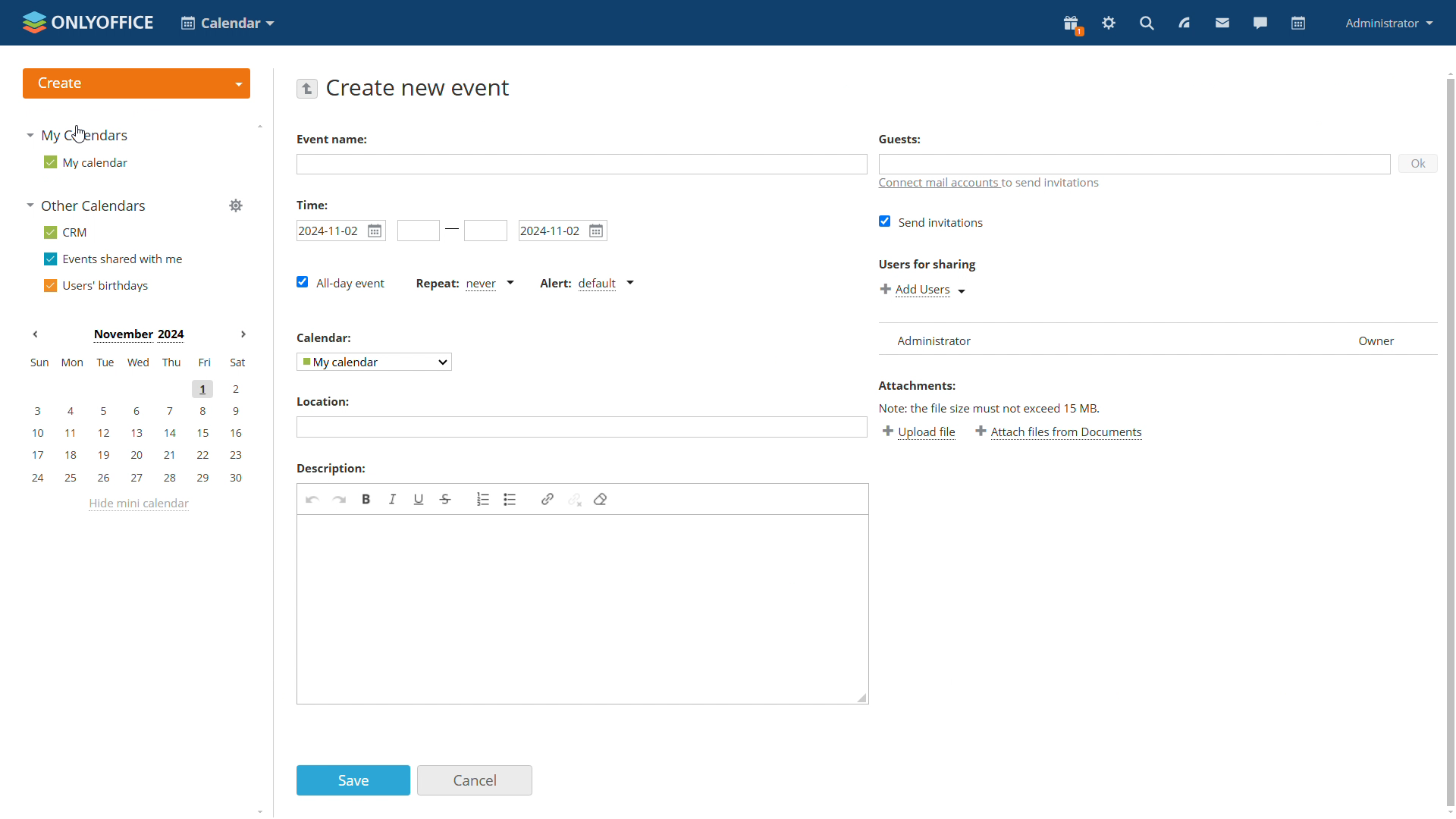 The height and width of the screenshot is (819, 1456). Describe the element at coordinates (421, 87) in the screenshot. I see `create new event` at that location.